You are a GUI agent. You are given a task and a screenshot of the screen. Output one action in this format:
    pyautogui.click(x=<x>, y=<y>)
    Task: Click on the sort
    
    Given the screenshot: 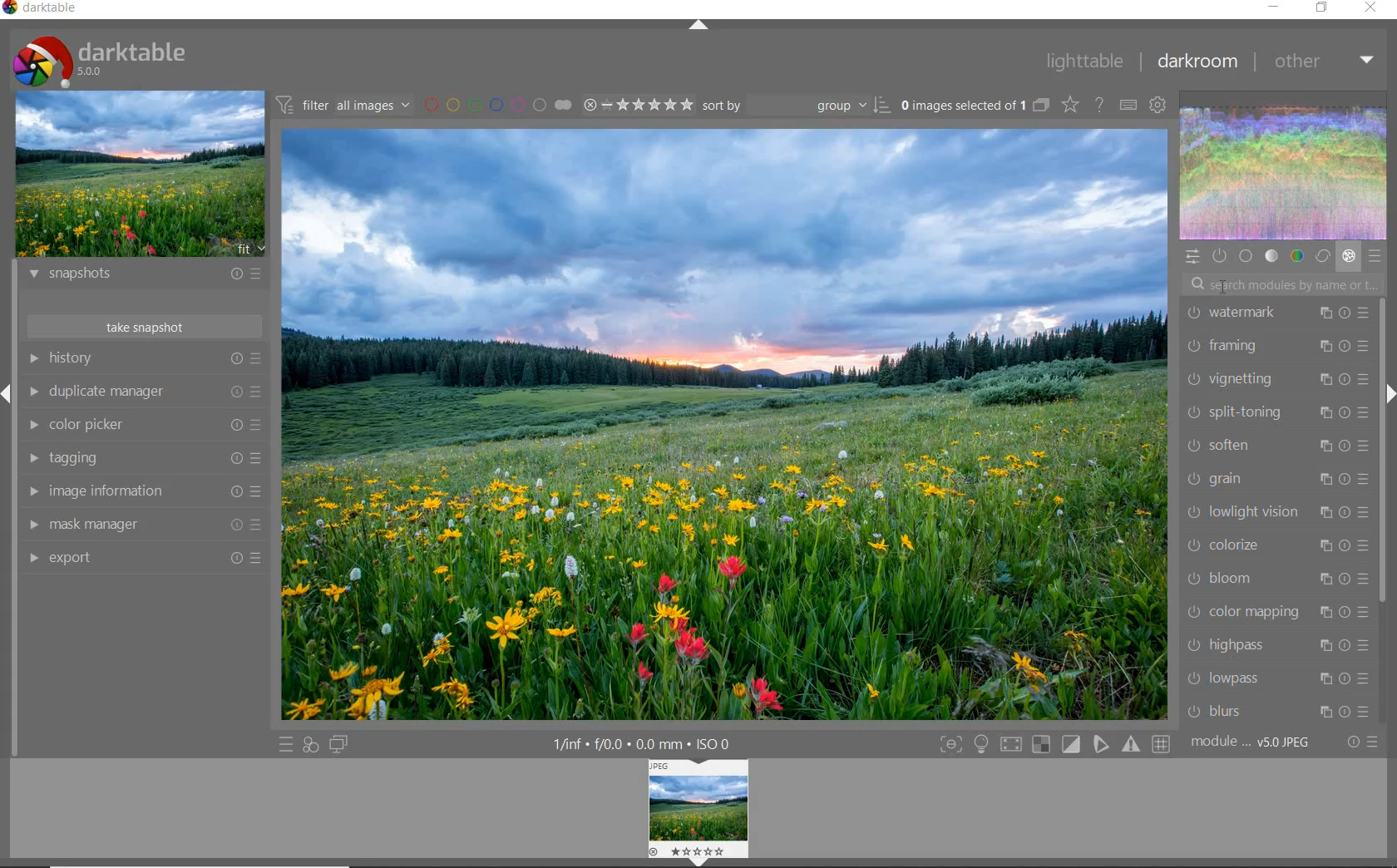 What is the action you would take?
    pyautogui.click(x=797, y=106)
    